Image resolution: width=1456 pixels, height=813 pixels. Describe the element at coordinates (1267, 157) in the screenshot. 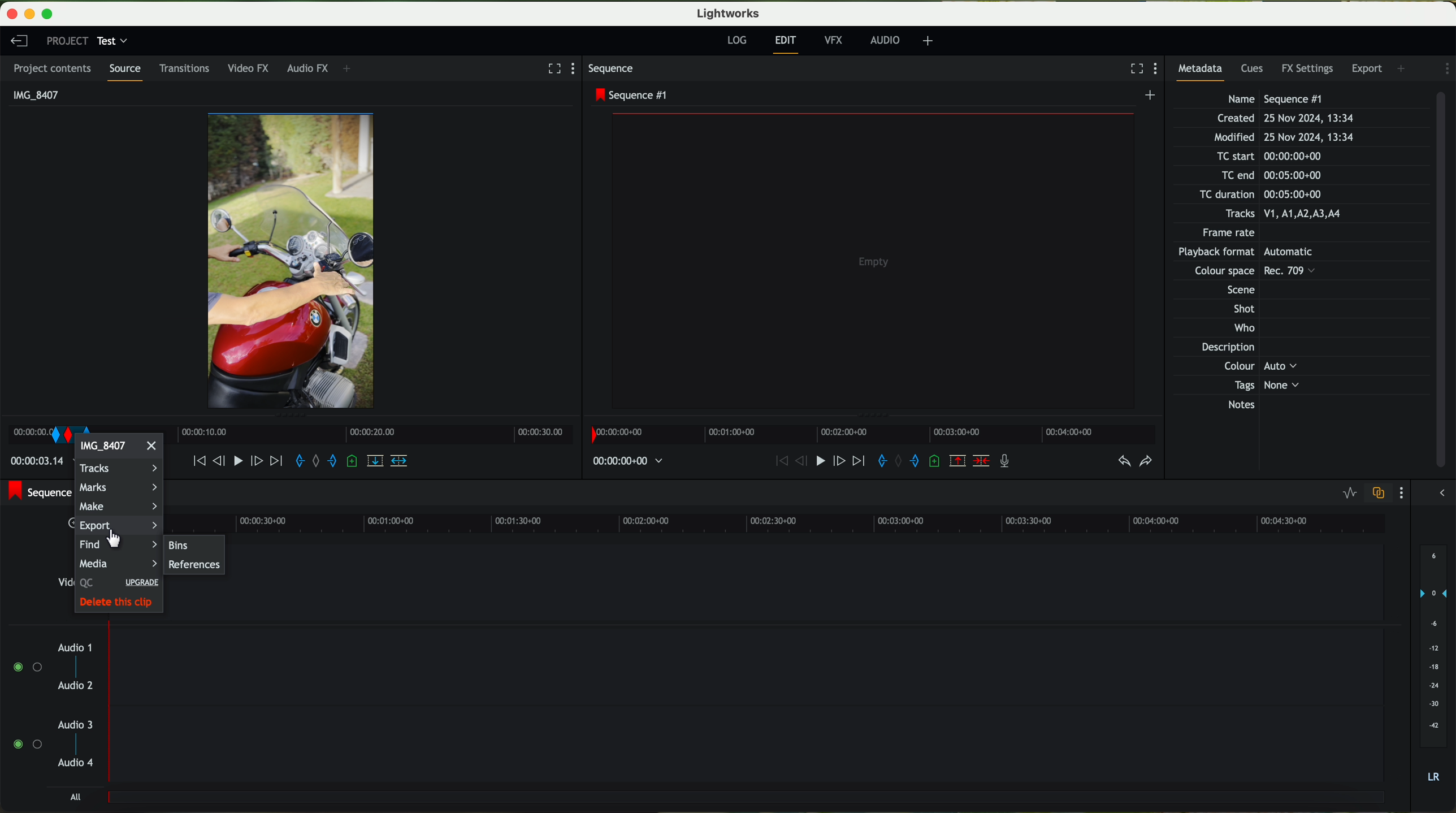

I see `TC start` at that location.